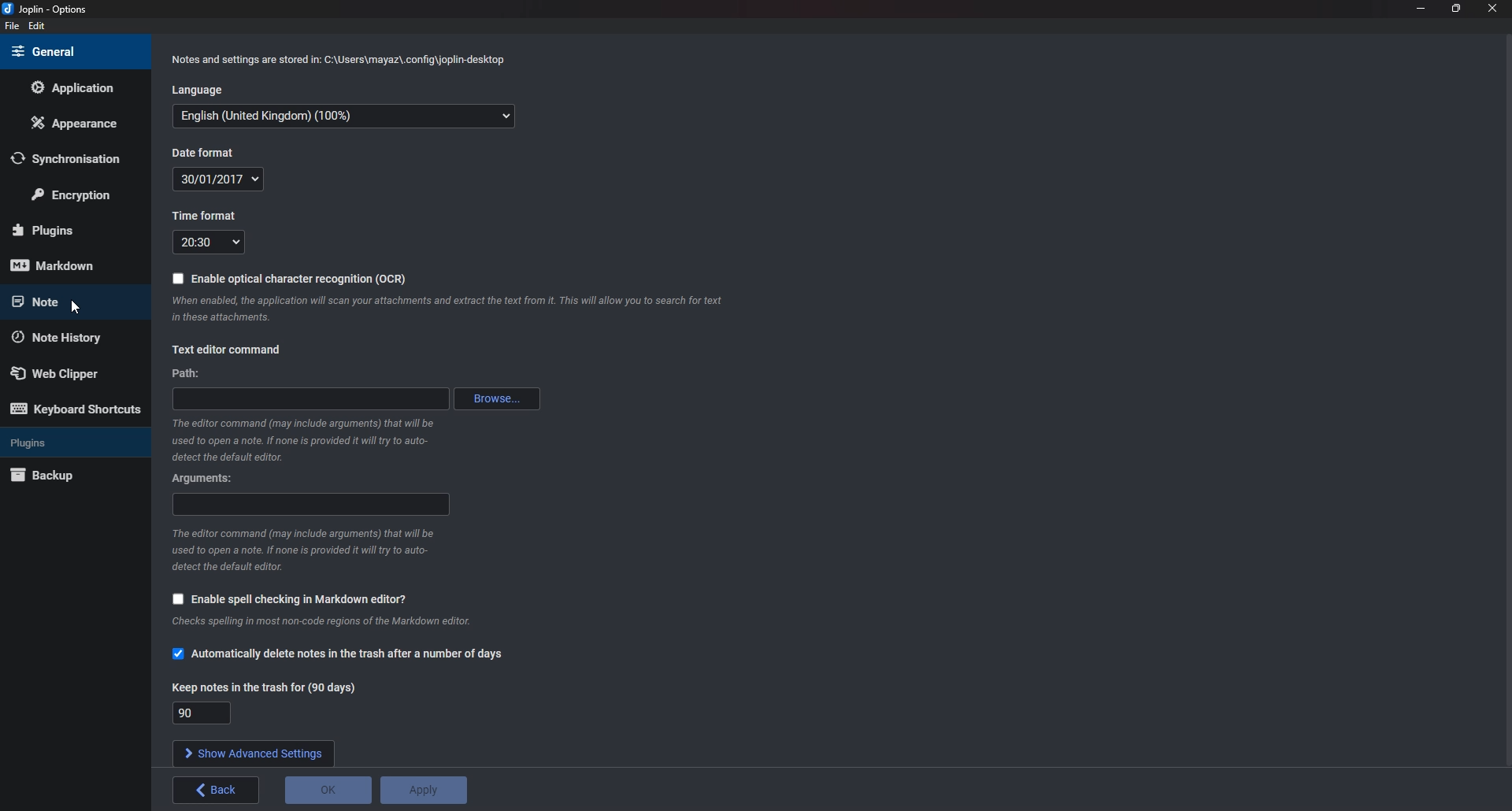 The image size is (1512, 811). What do you see at coordinates (68, 302) in the screenshot?
I see `note` at bounding box center [68, 302].